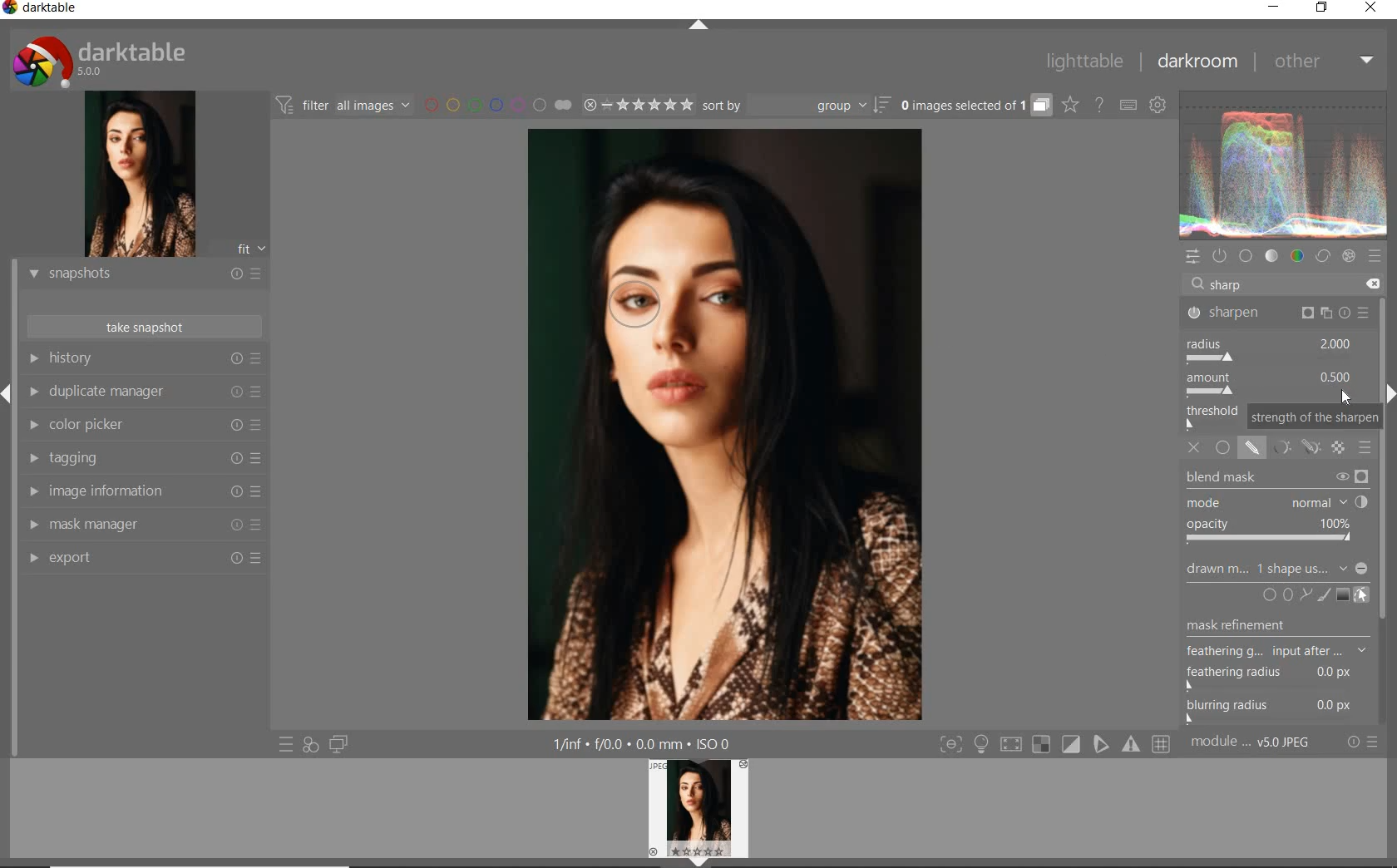  I want to click on amount, so click(1272, 383).